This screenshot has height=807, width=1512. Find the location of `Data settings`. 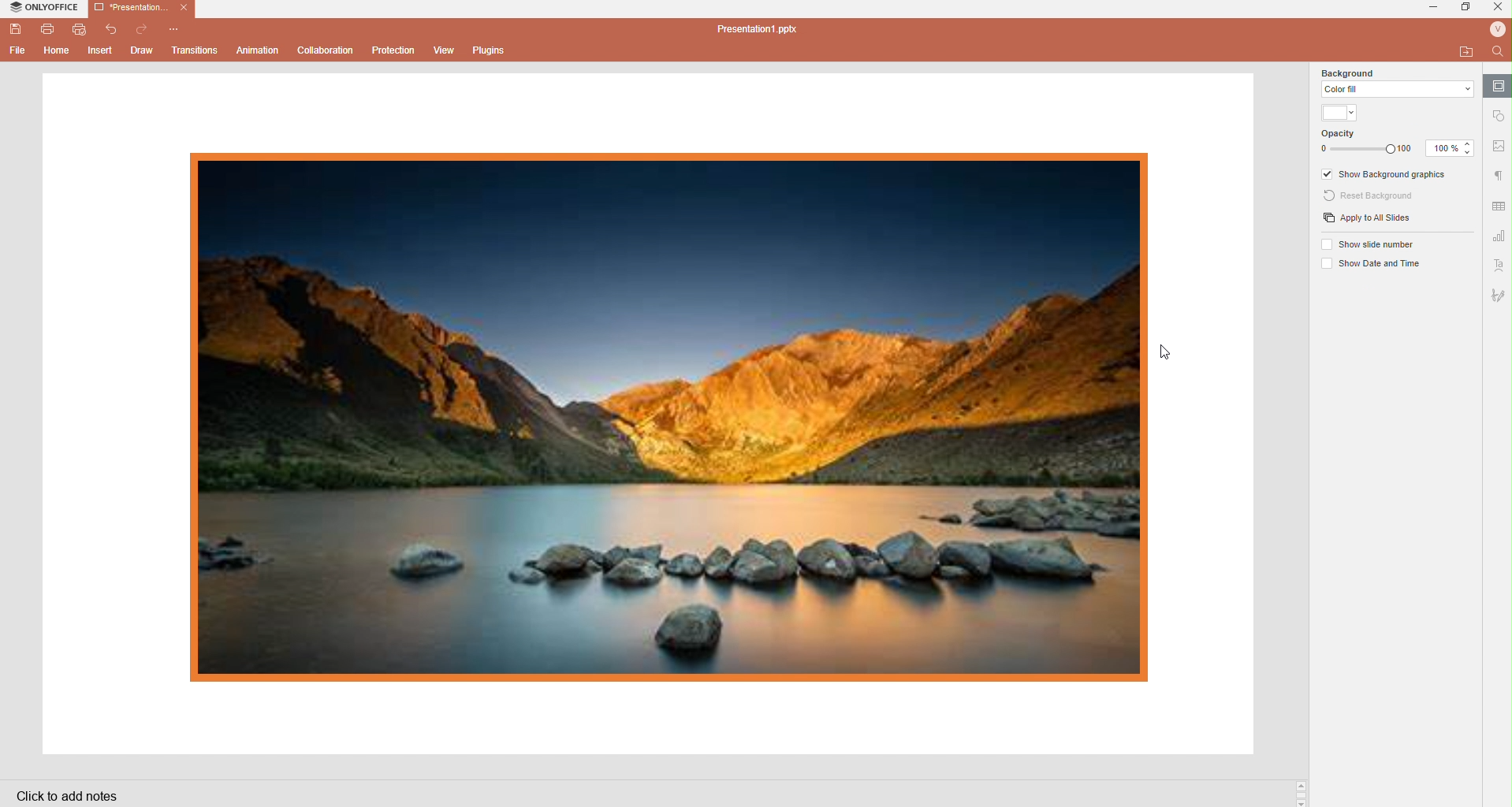

Data settings is located at coordinates (1499, 206).